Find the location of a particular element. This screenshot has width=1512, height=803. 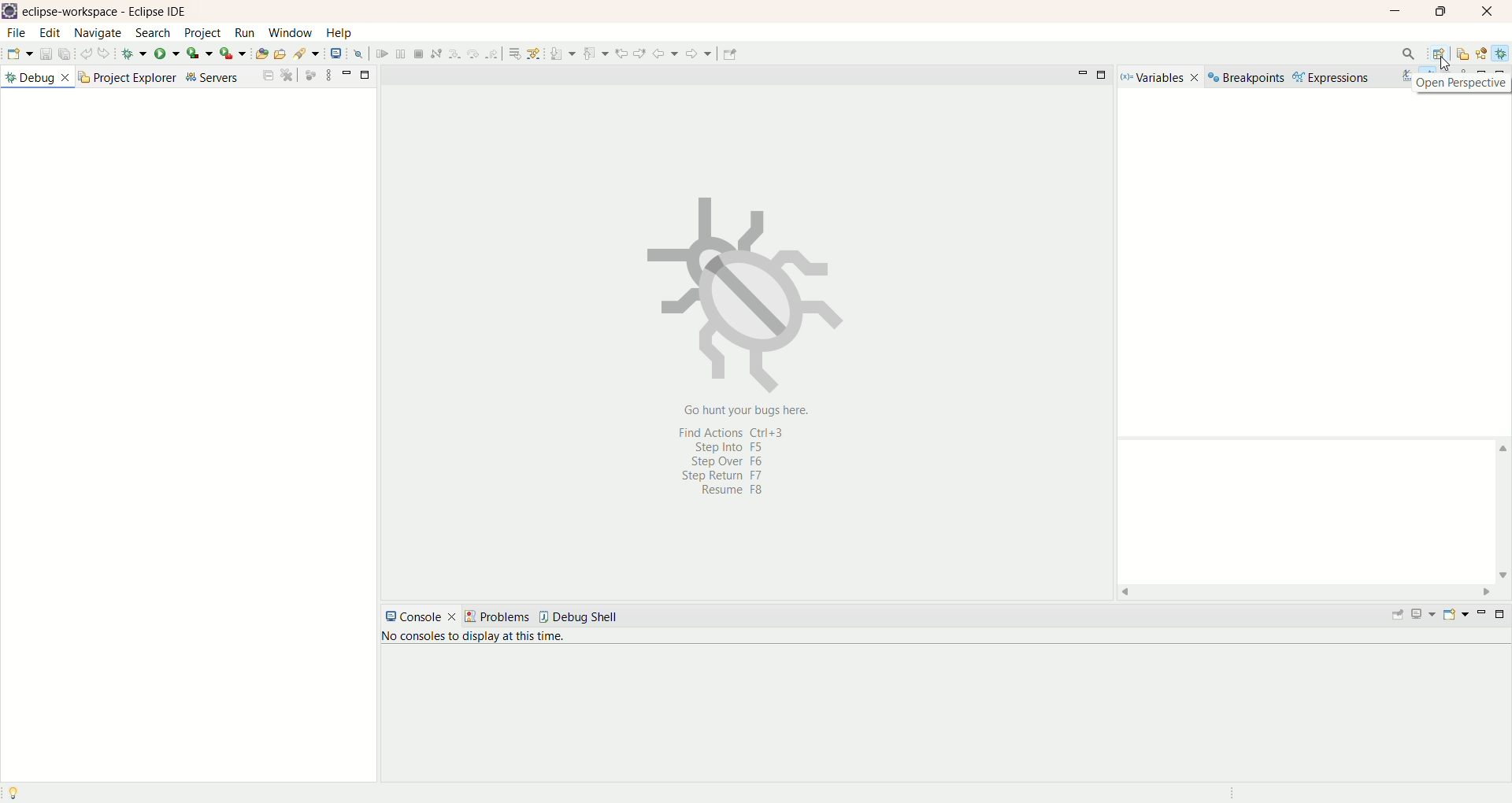

pin console is located at coordinates (1401, 611).